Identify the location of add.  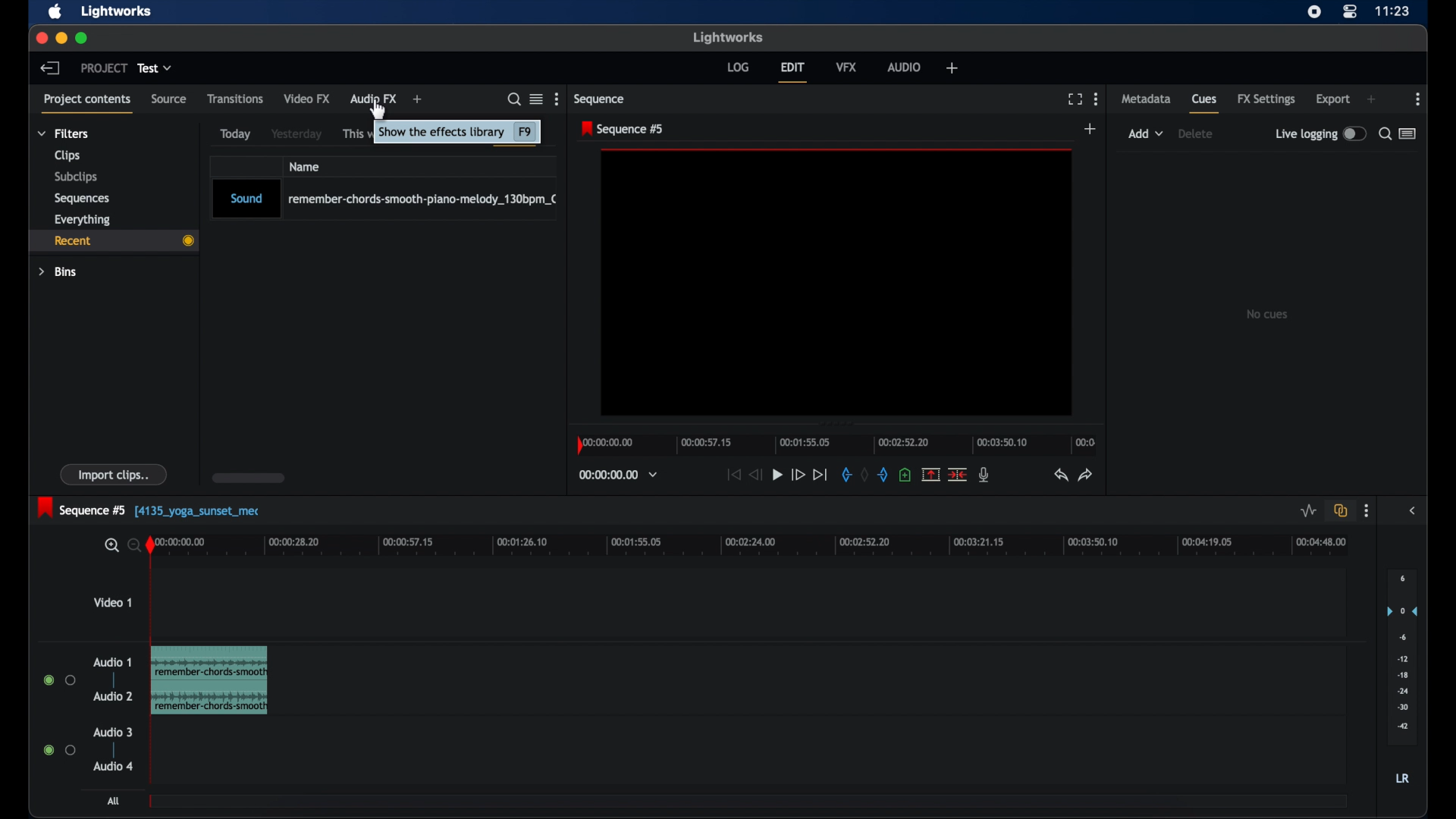
(418, 99).